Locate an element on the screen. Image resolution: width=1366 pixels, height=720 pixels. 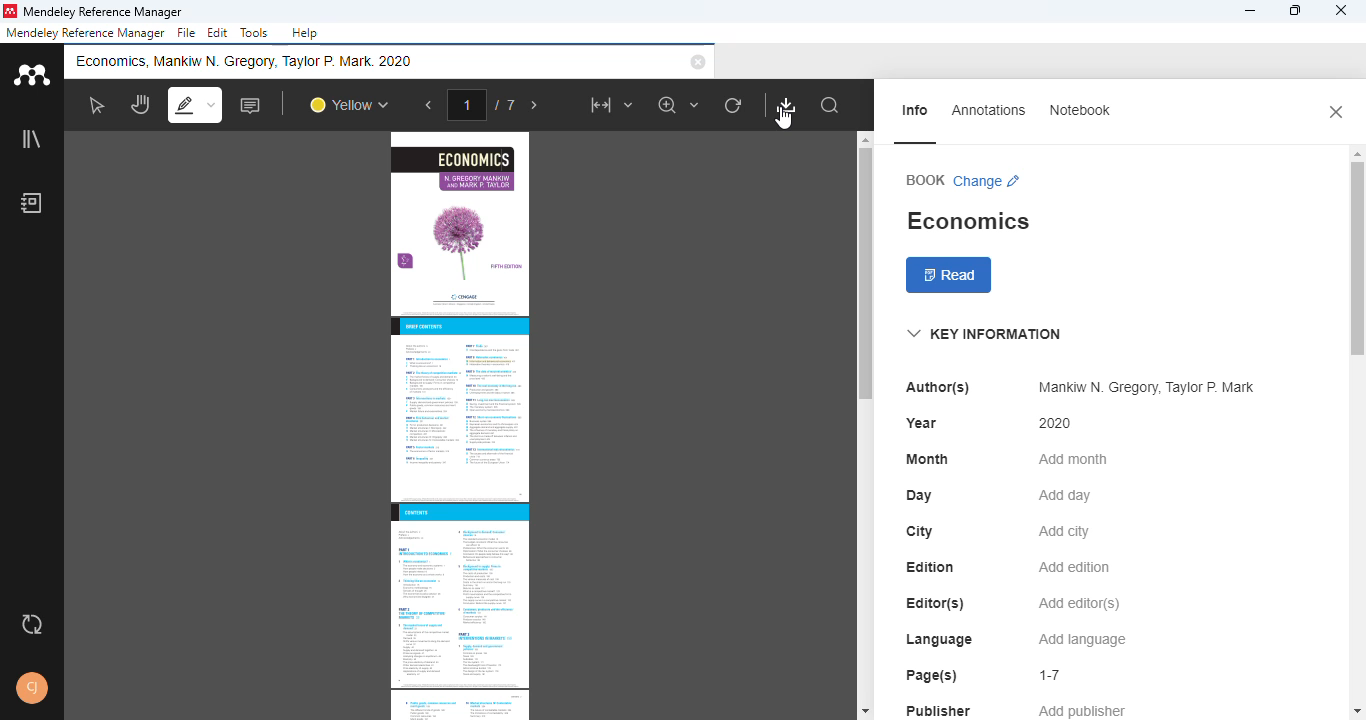
fit to width/height is located at coordinates (610, 105).